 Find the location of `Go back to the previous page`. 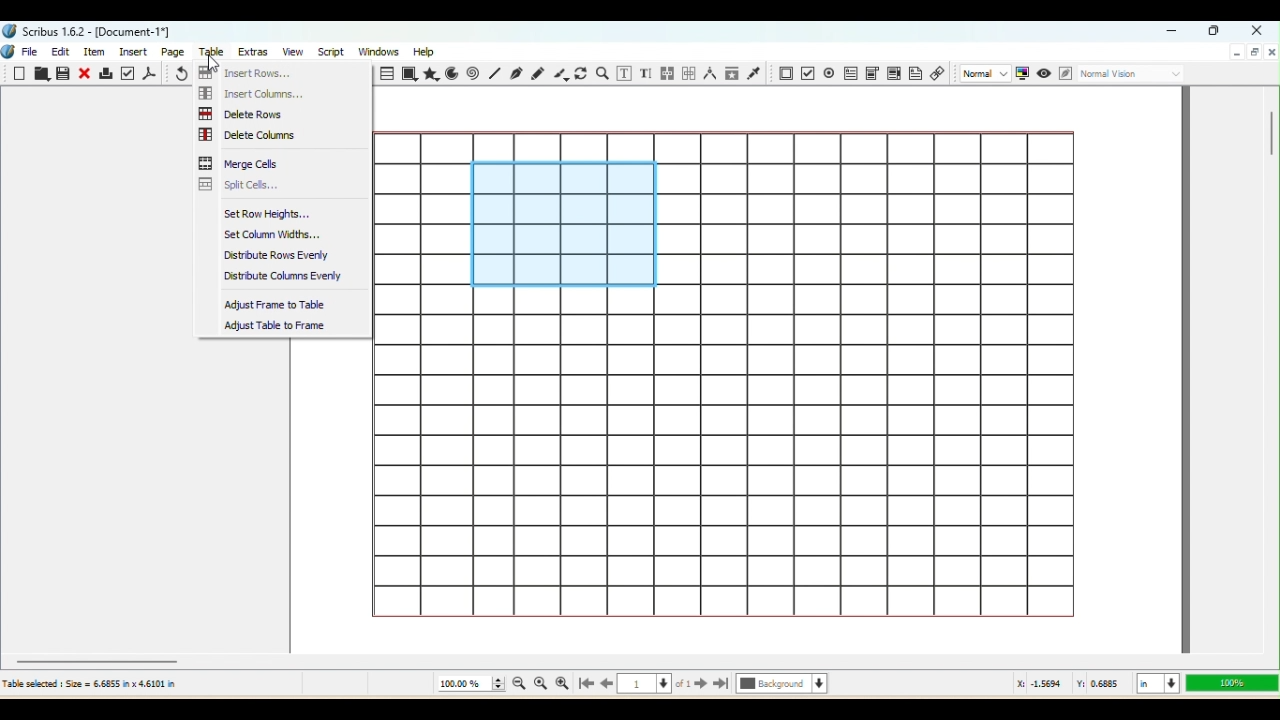

Go back to the previous page is located at coordinates (607, 685).